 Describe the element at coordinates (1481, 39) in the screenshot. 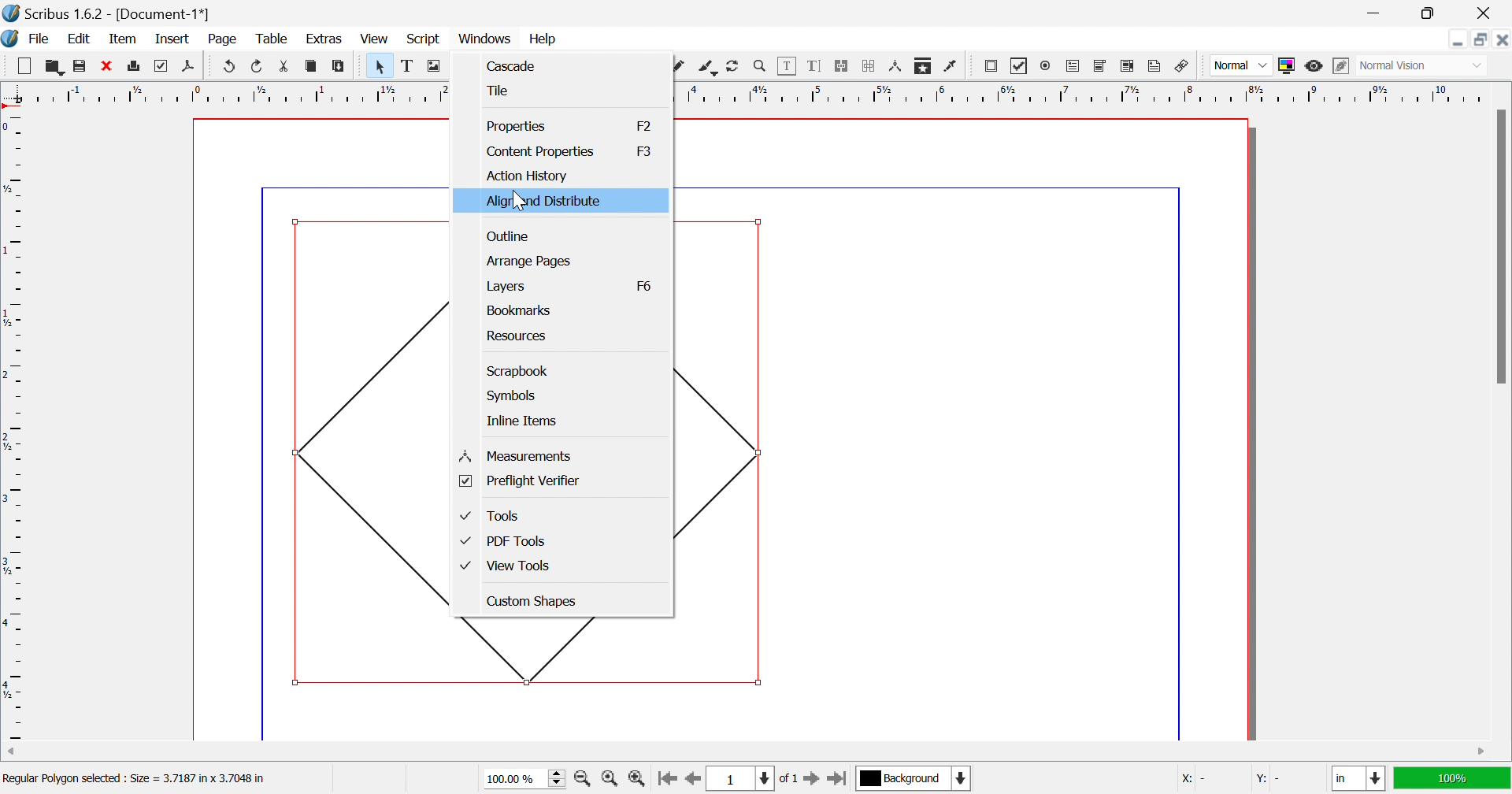

I see `Restore down` at that location.